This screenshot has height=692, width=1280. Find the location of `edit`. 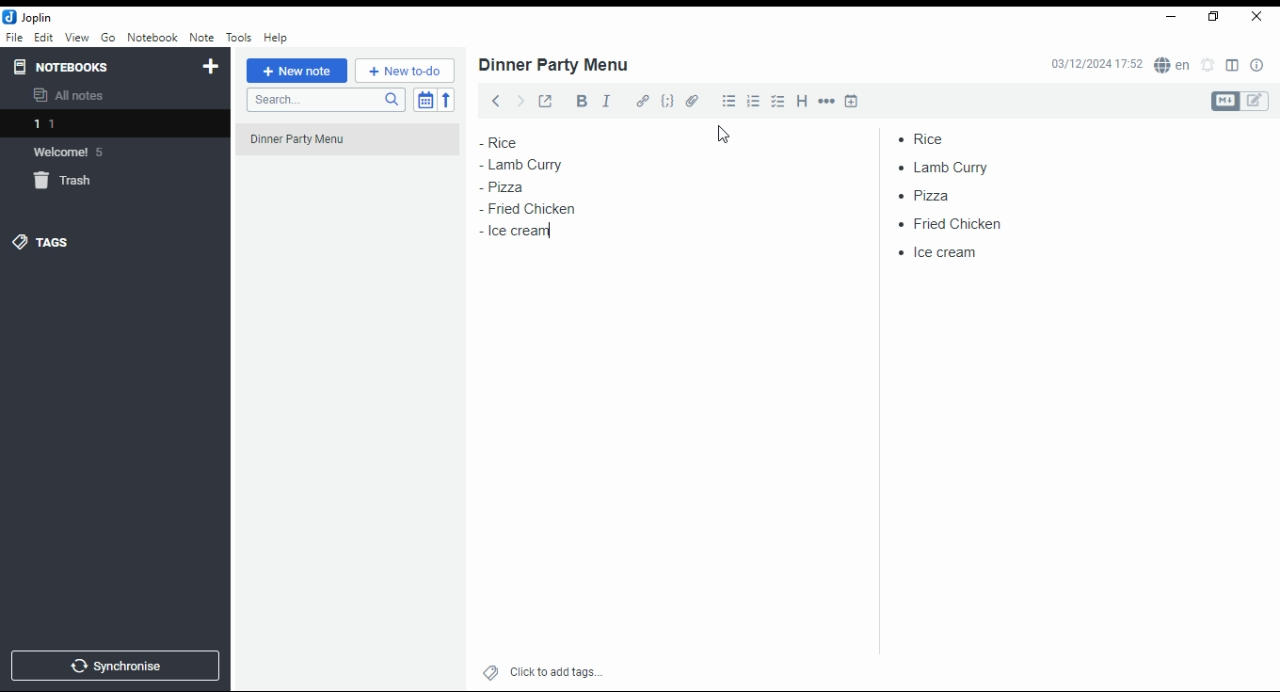

edit is located at coordinates (1257, 101).